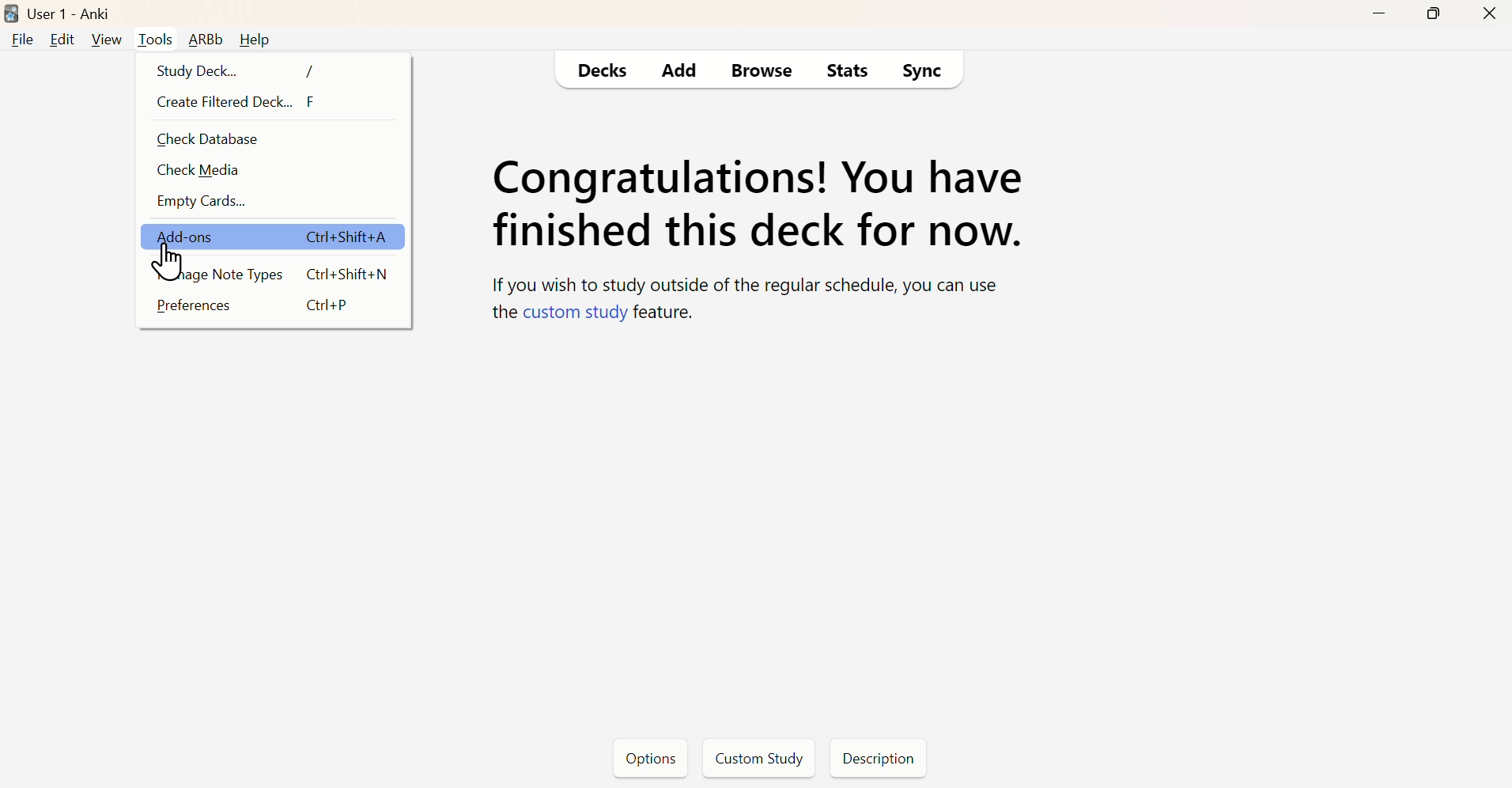  What do you see at coordinates (602, 72) in the screenshot?
I see `Decks` at bounding box center [602, 72].